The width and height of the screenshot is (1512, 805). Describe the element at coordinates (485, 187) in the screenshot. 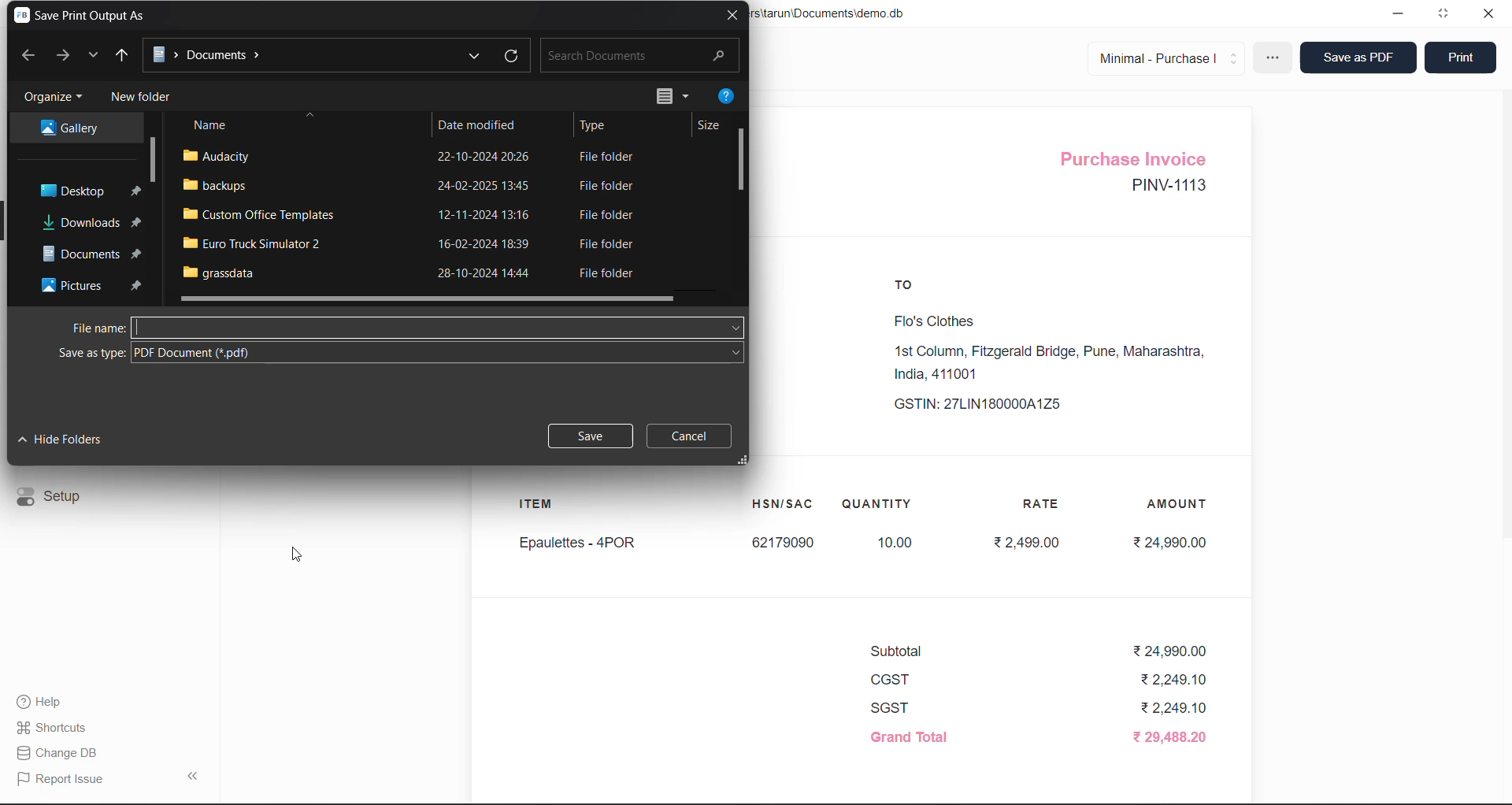

I see `24-02-2025 13:45` at that location.